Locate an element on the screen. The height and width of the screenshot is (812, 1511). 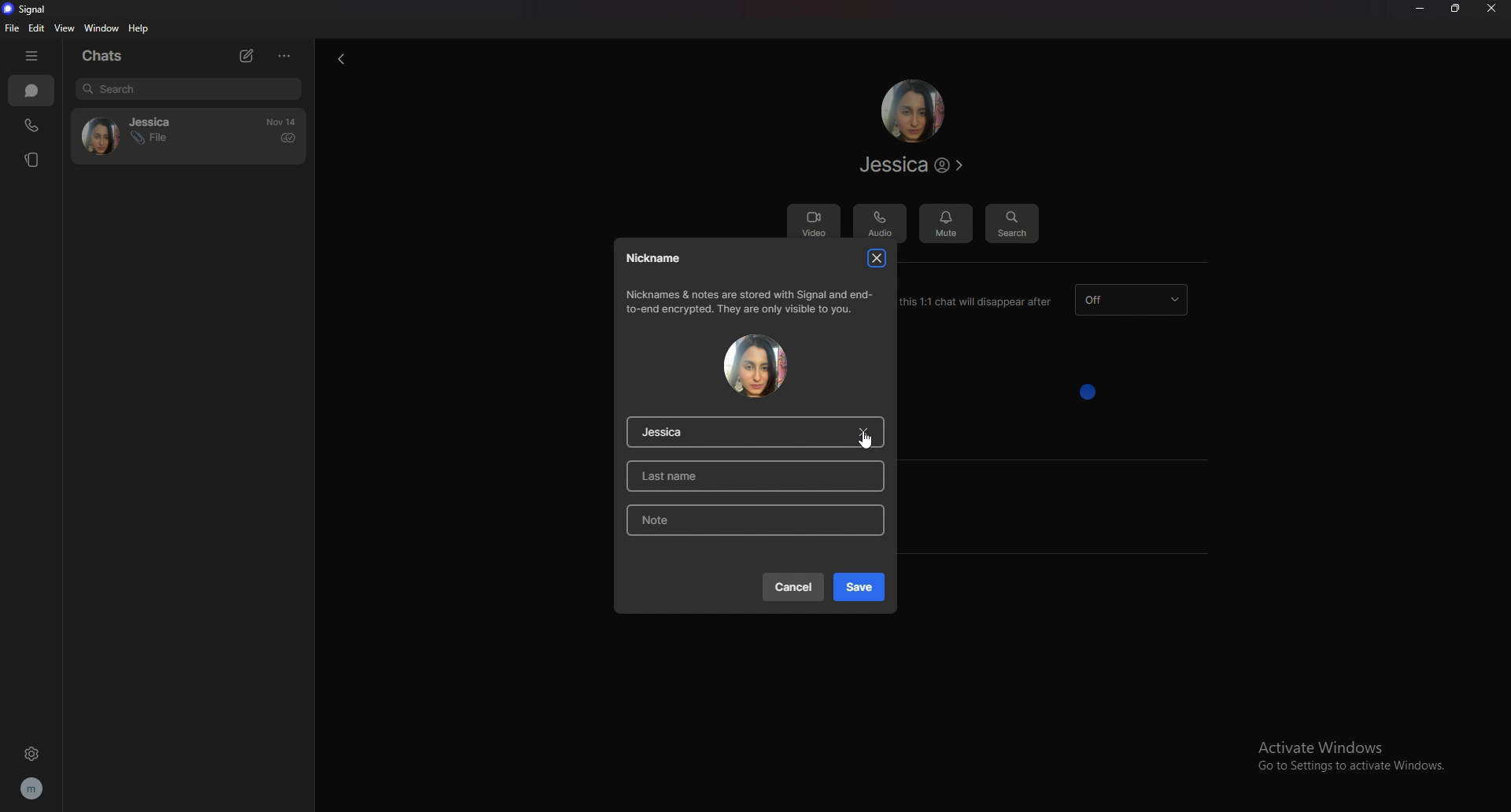
save is located at coordinates (859, 587).